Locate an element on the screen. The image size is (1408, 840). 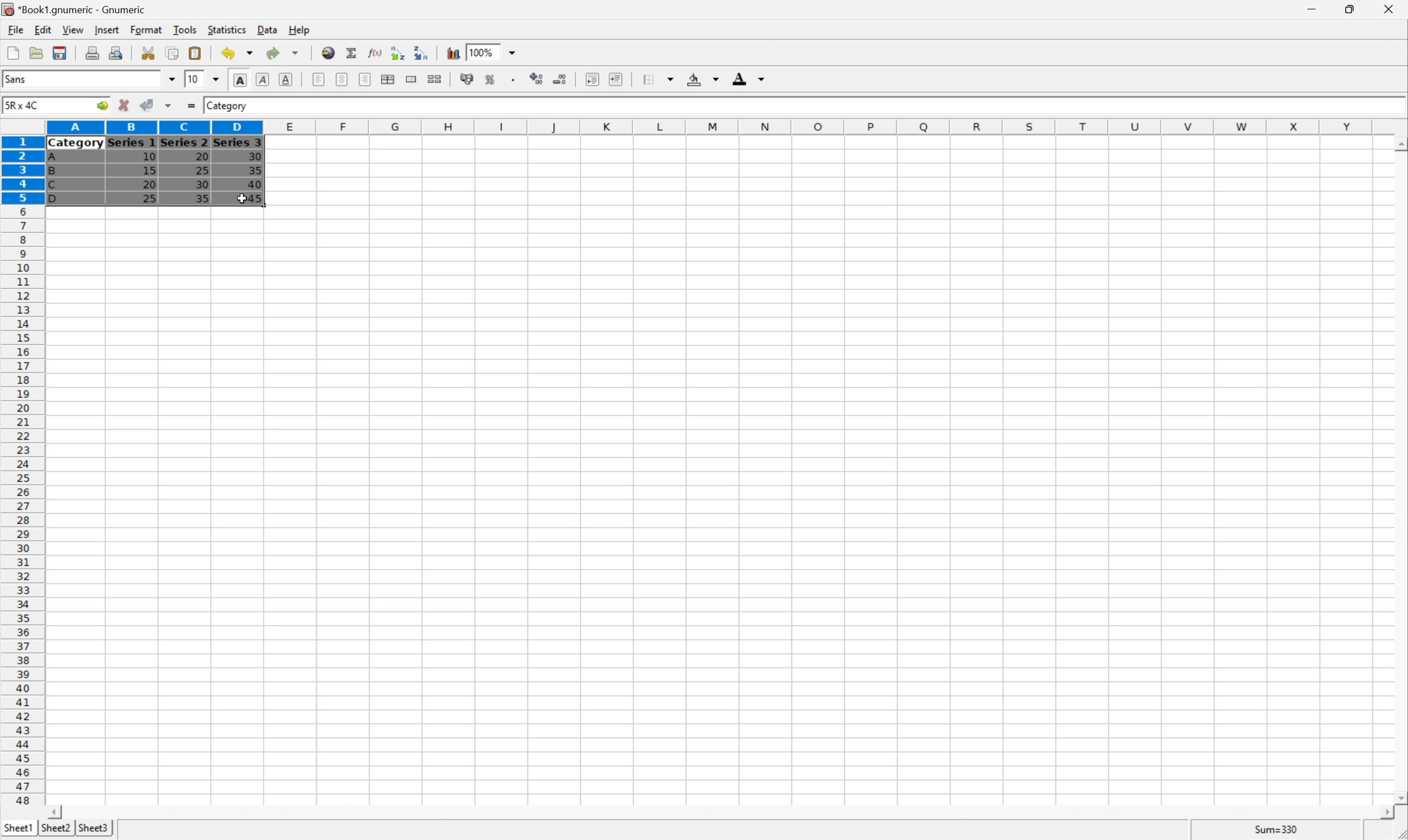
Category is located at coordinates (76, 144).